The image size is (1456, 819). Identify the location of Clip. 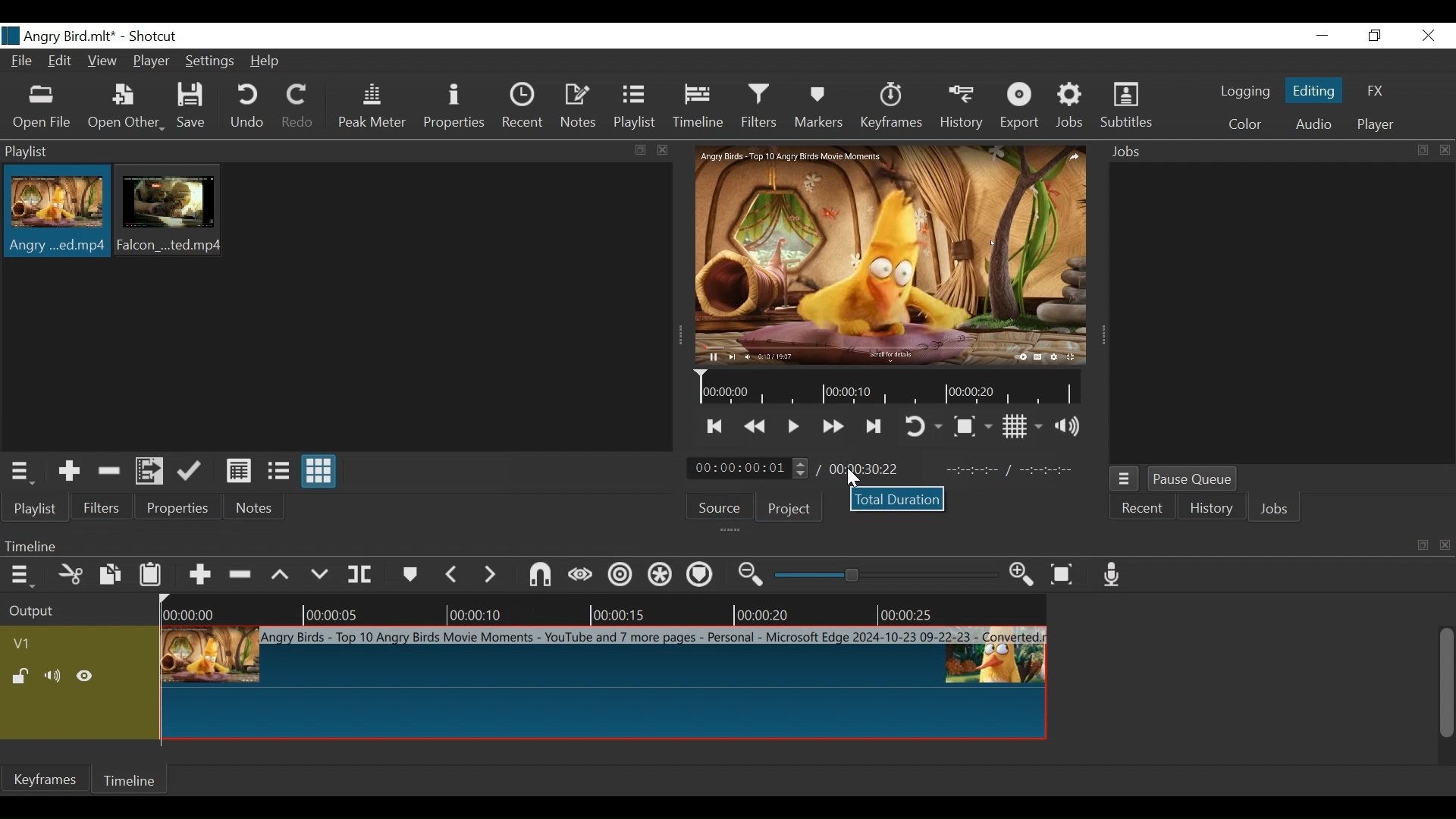
(55, 213).